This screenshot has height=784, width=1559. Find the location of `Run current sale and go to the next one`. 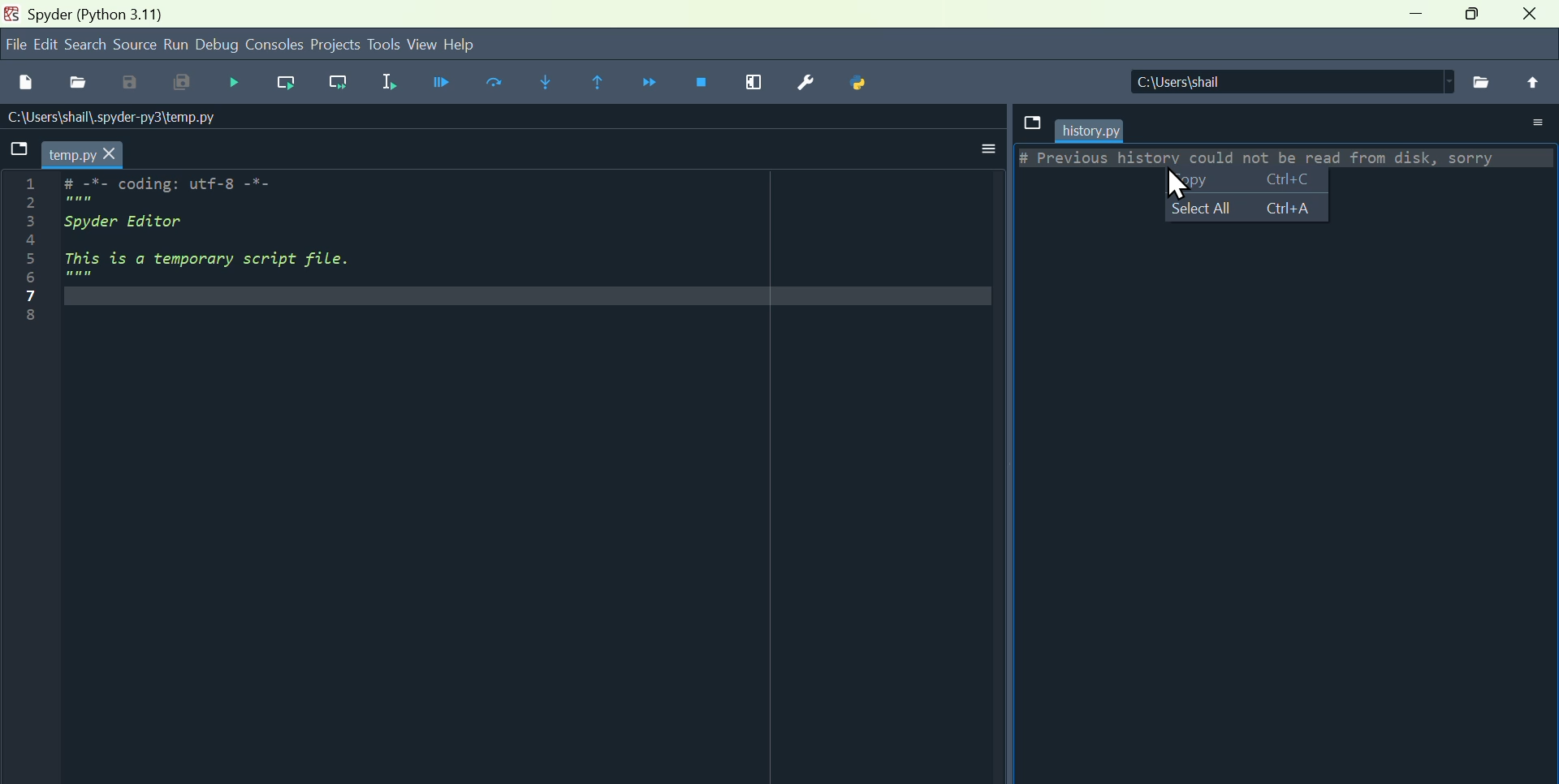

Run current sale and go to the next one is located at coordinates (343, 82).